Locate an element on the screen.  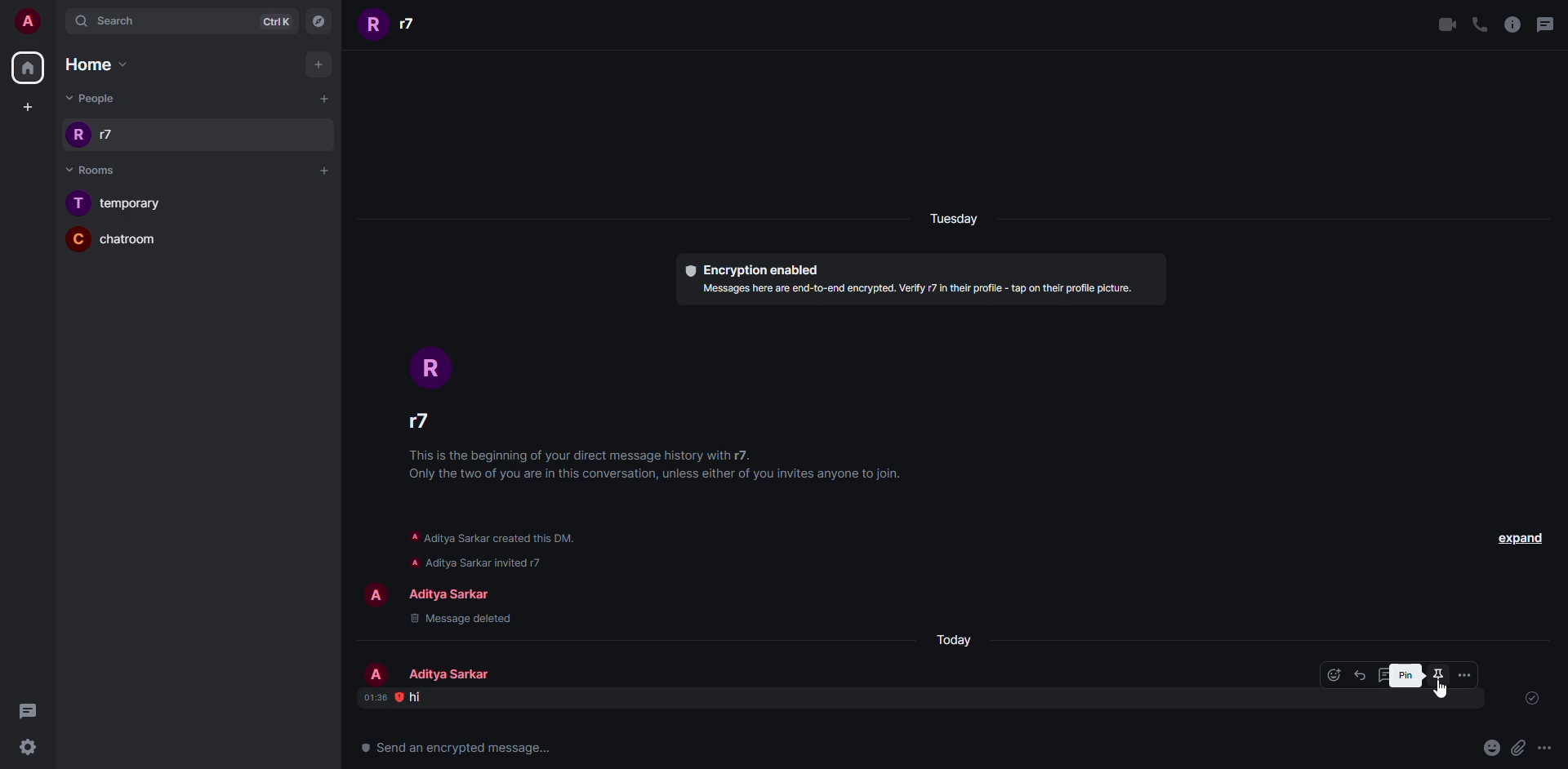
threads is located at coordinates (1543, 24).